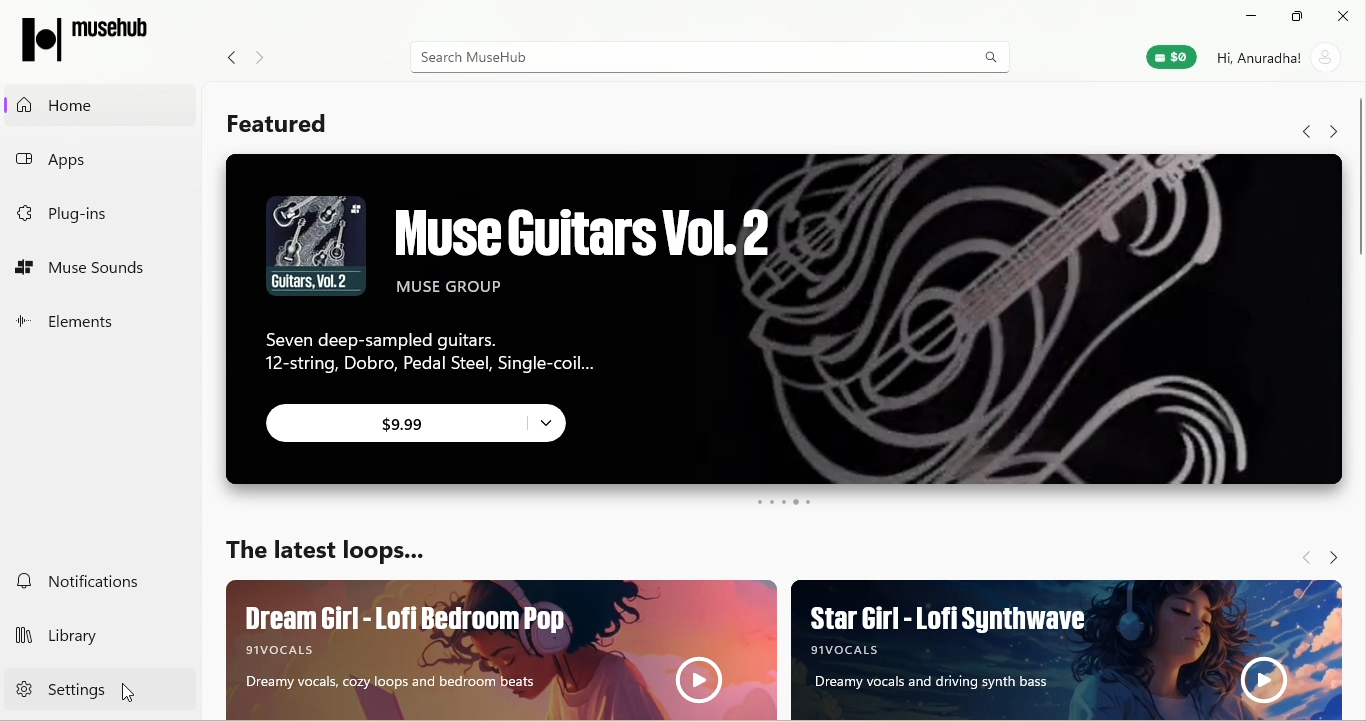 This screenshot has height=722, width=1366. I want to click on navigate back, so click(226, 55).